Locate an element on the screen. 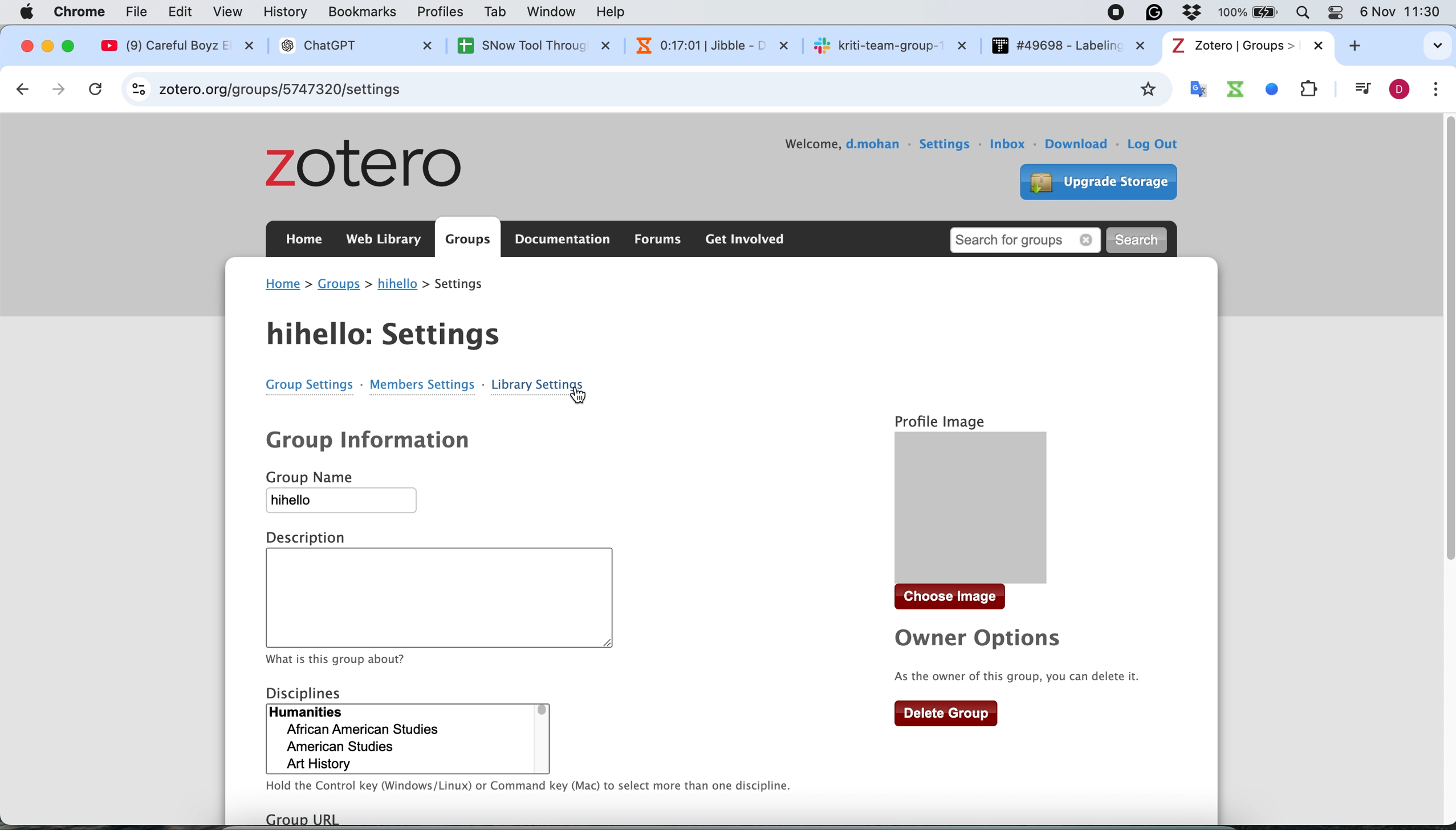  welcome is located at coordinates (808, 144).